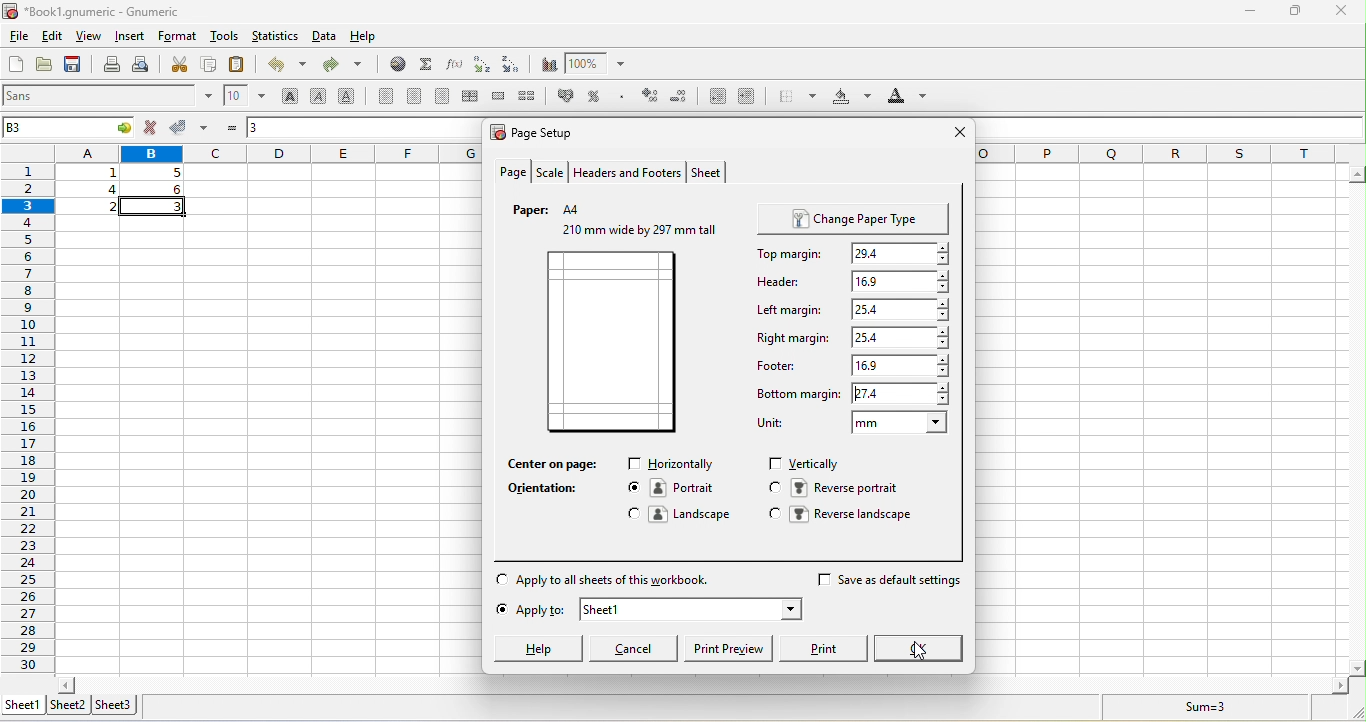  Describe the element at coordinates (858, 217) in the screenshot. I see `change paper type` at that location.